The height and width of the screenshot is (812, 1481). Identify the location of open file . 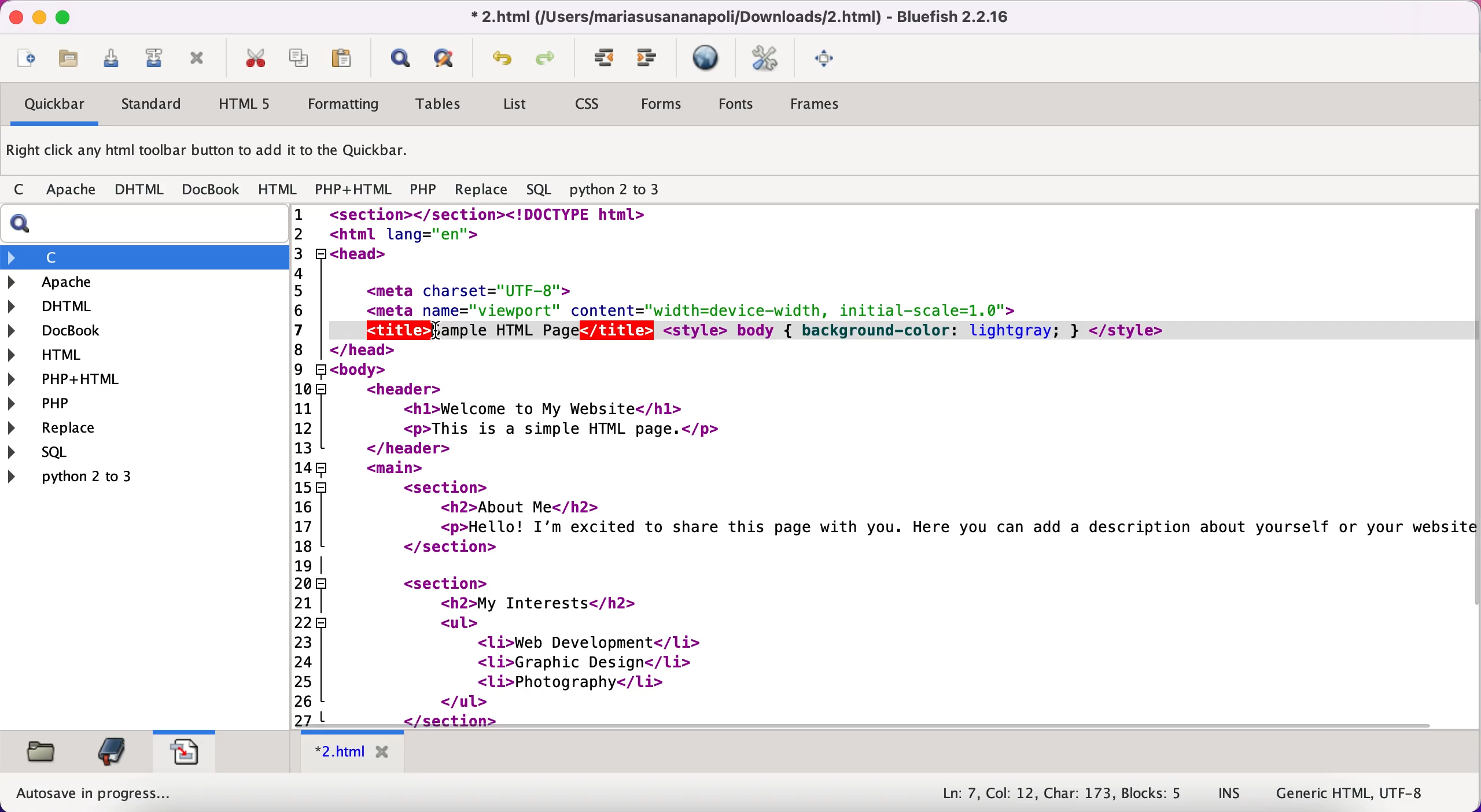
(74, 62).